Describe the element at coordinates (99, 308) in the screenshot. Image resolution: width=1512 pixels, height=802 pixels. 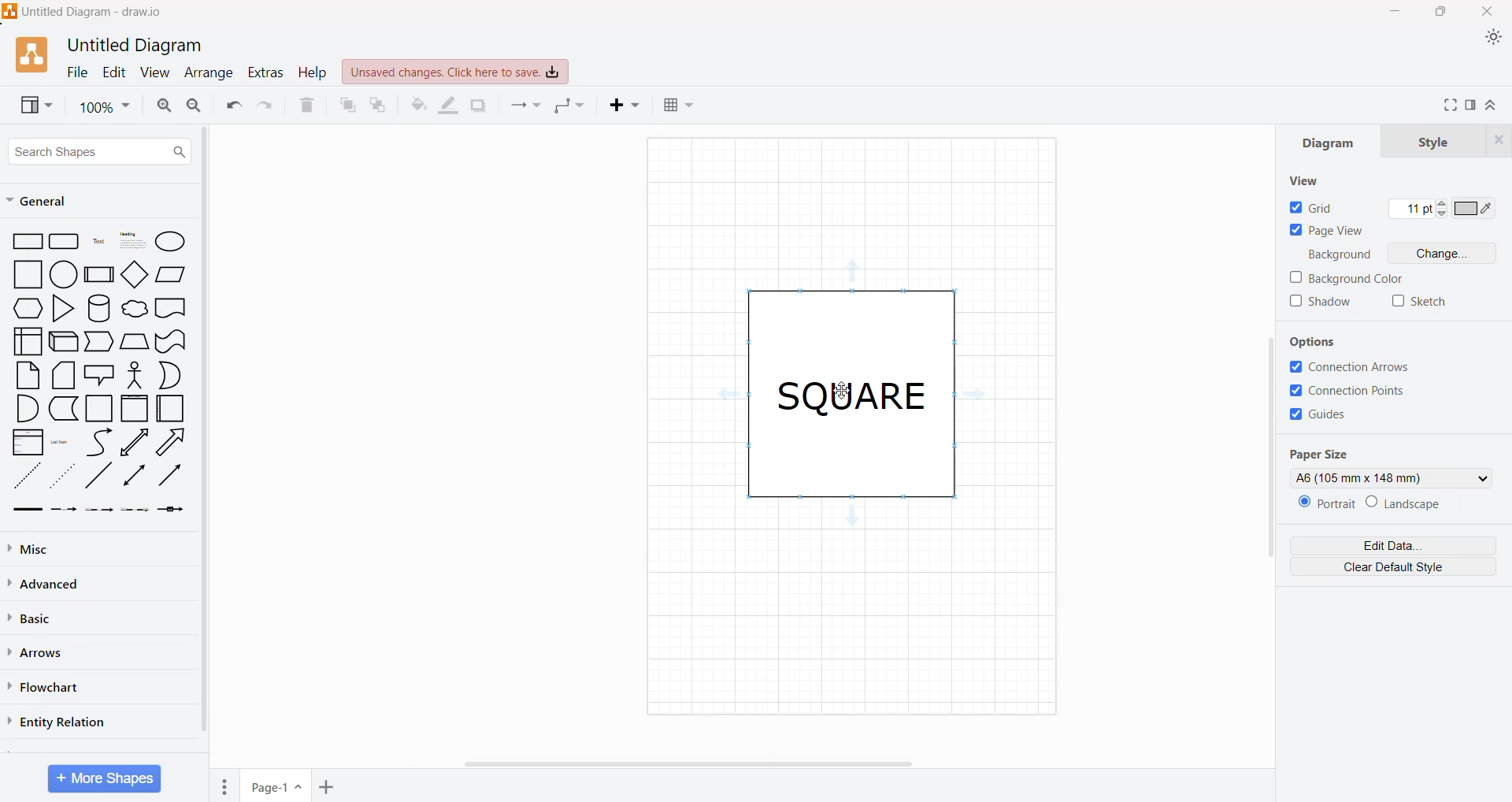
I see `Cylinder ` at that location.